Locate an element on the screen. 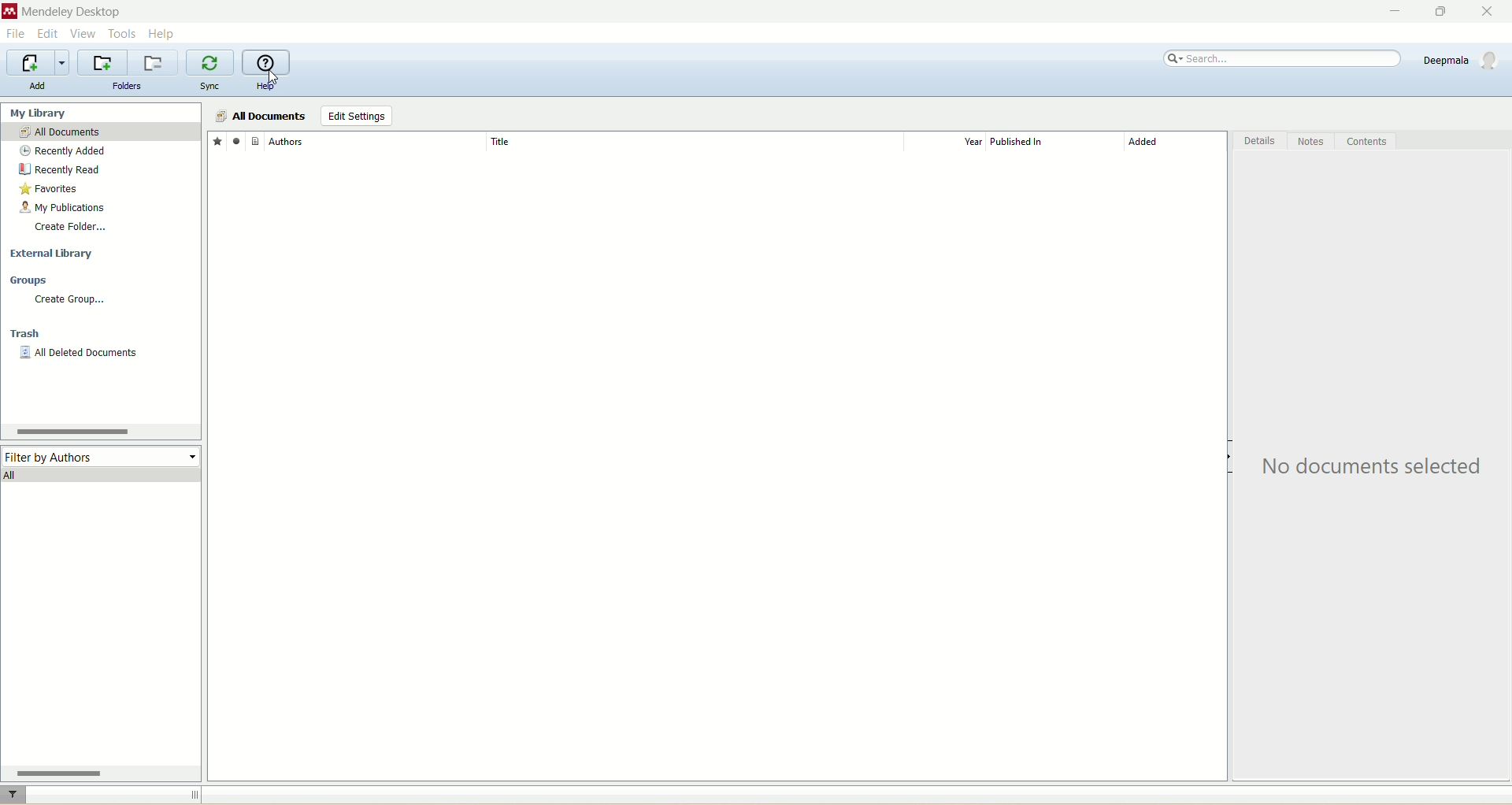 The width and height of the screenshot is (1512, 805). year is located at coordinates (947, 141).